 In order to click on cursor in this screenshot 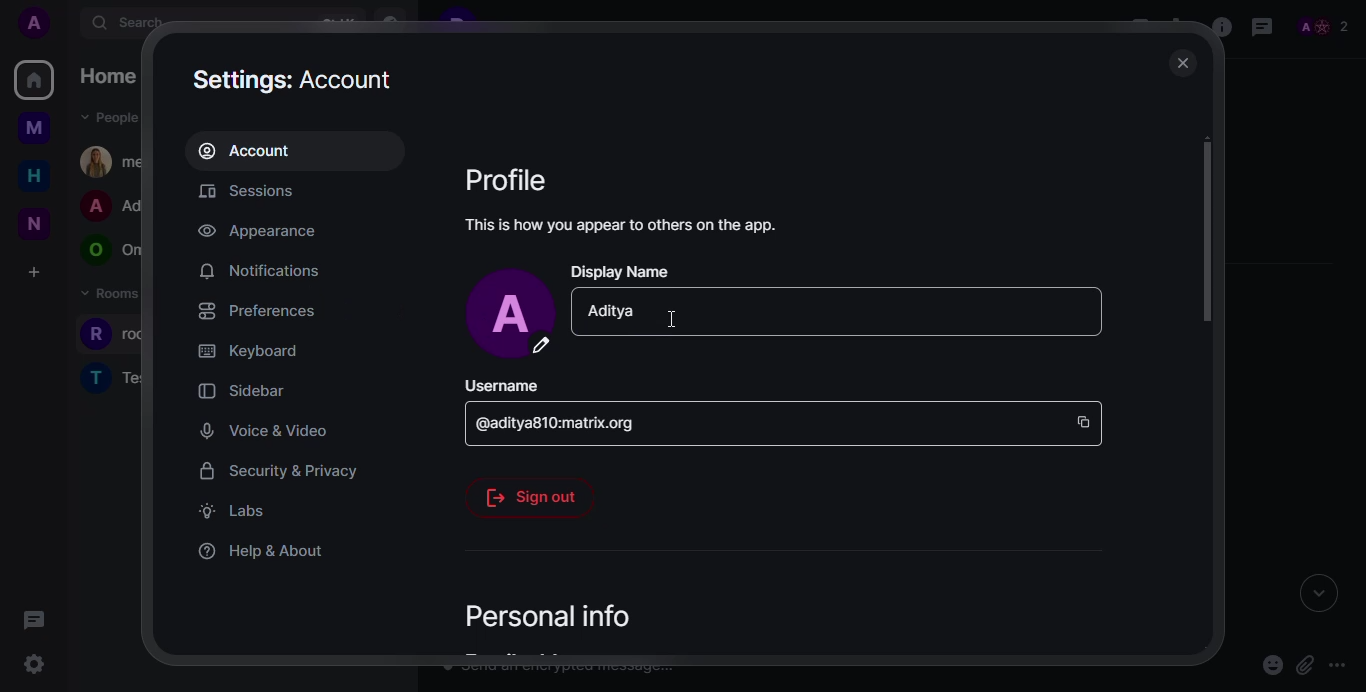, I will do `click(672, 319)`.